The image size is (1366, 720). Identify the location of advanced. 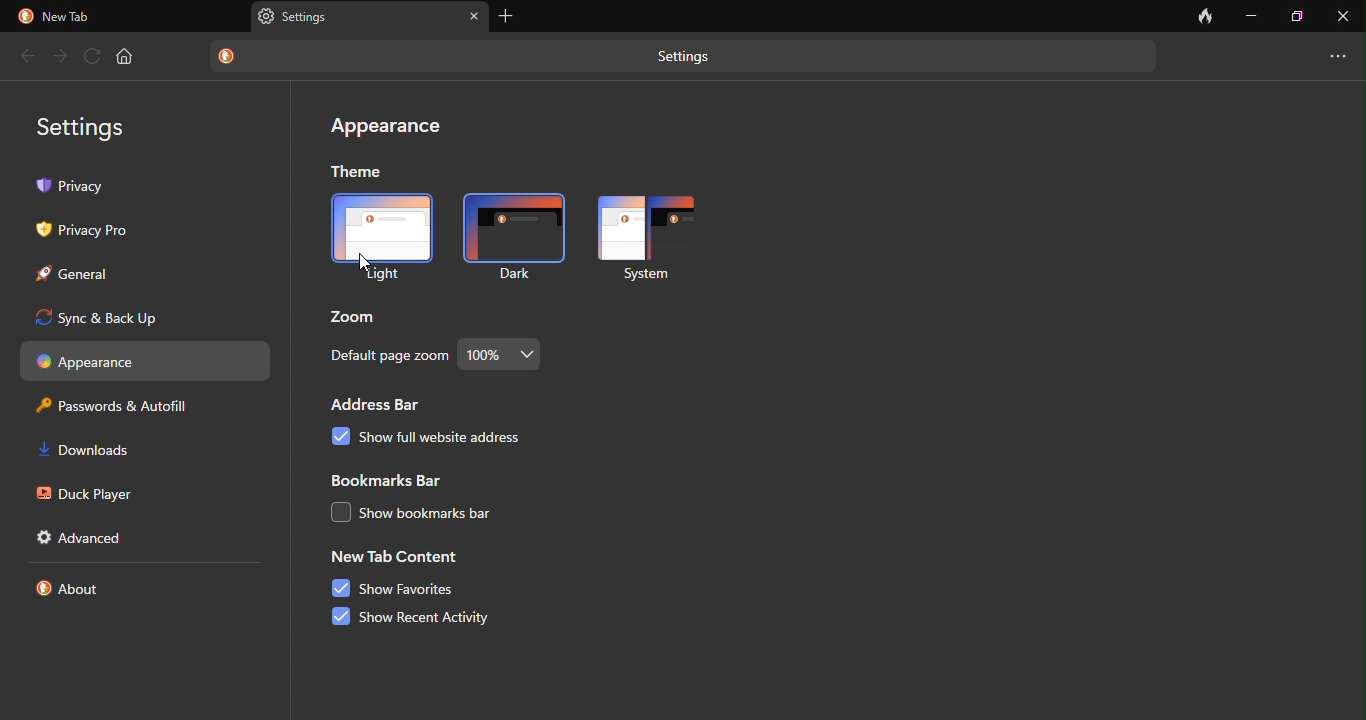
(87, 538).